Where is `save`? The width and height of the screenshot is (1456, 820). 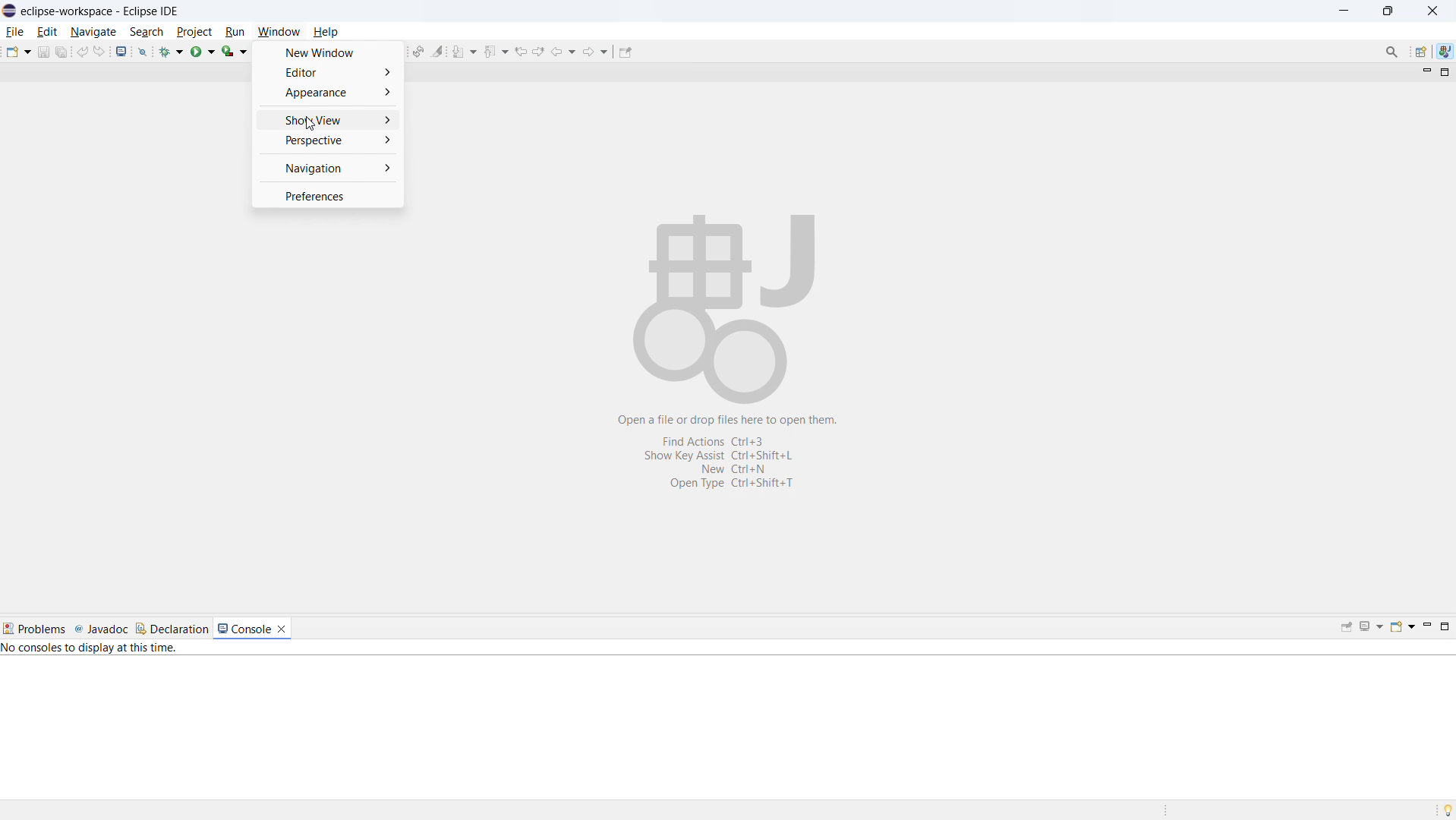 save is located at coordinates (44, 52).